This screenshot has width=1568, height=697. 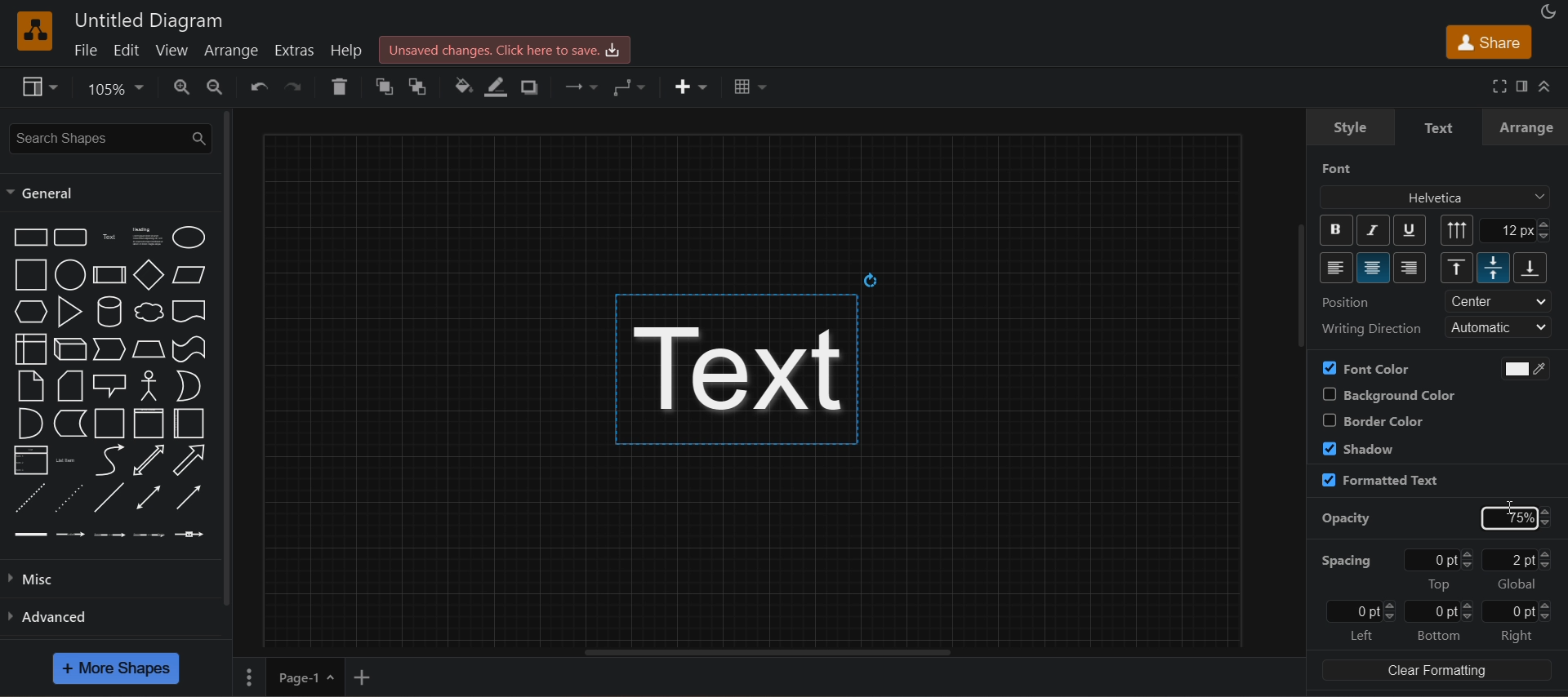 What do you see at coordinates (29, 275) in the screenshot?
I see `square` at bounding box center [29, 275].